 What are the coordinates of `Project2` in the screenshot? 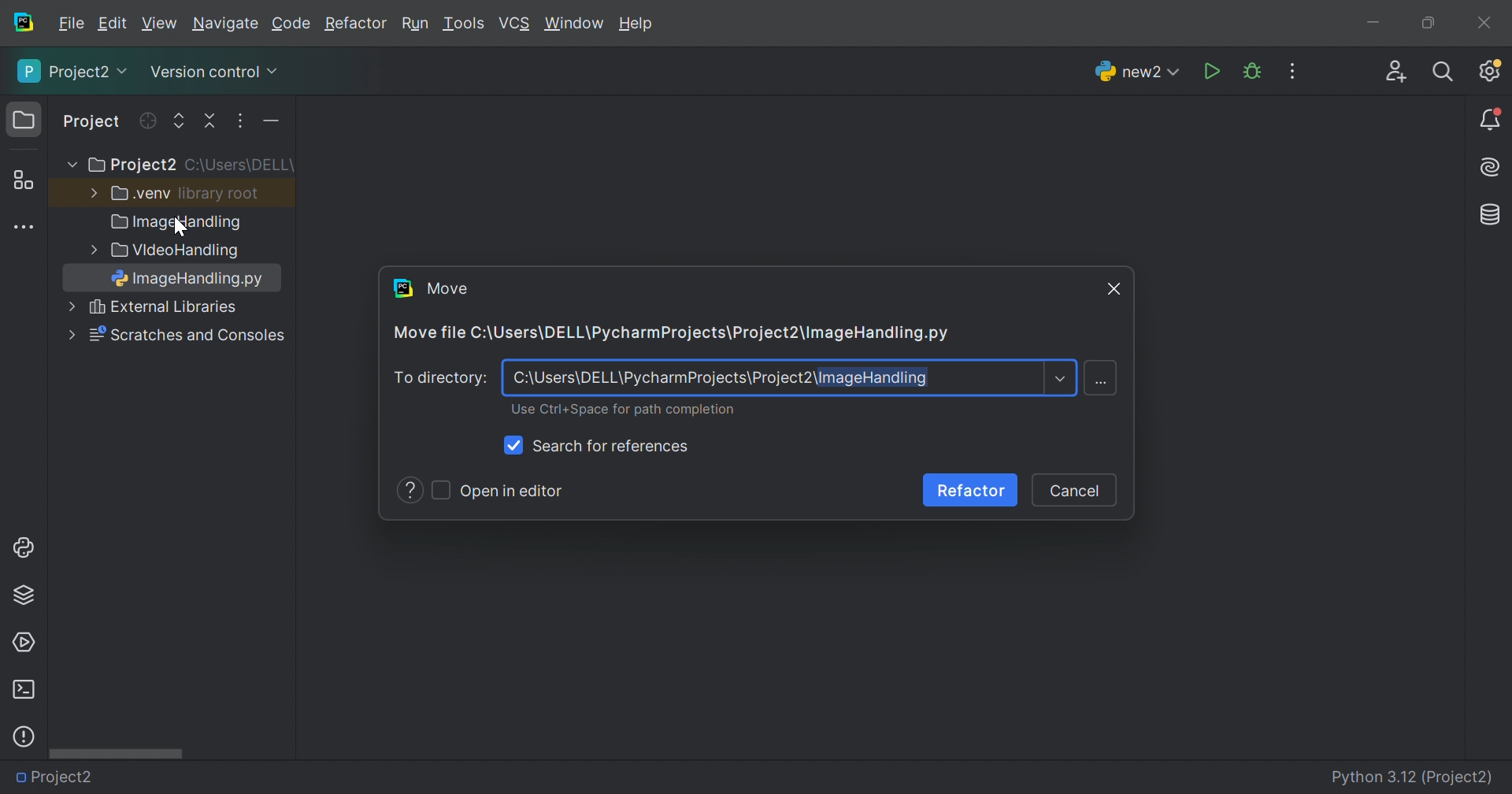 It's located at (74, 71).